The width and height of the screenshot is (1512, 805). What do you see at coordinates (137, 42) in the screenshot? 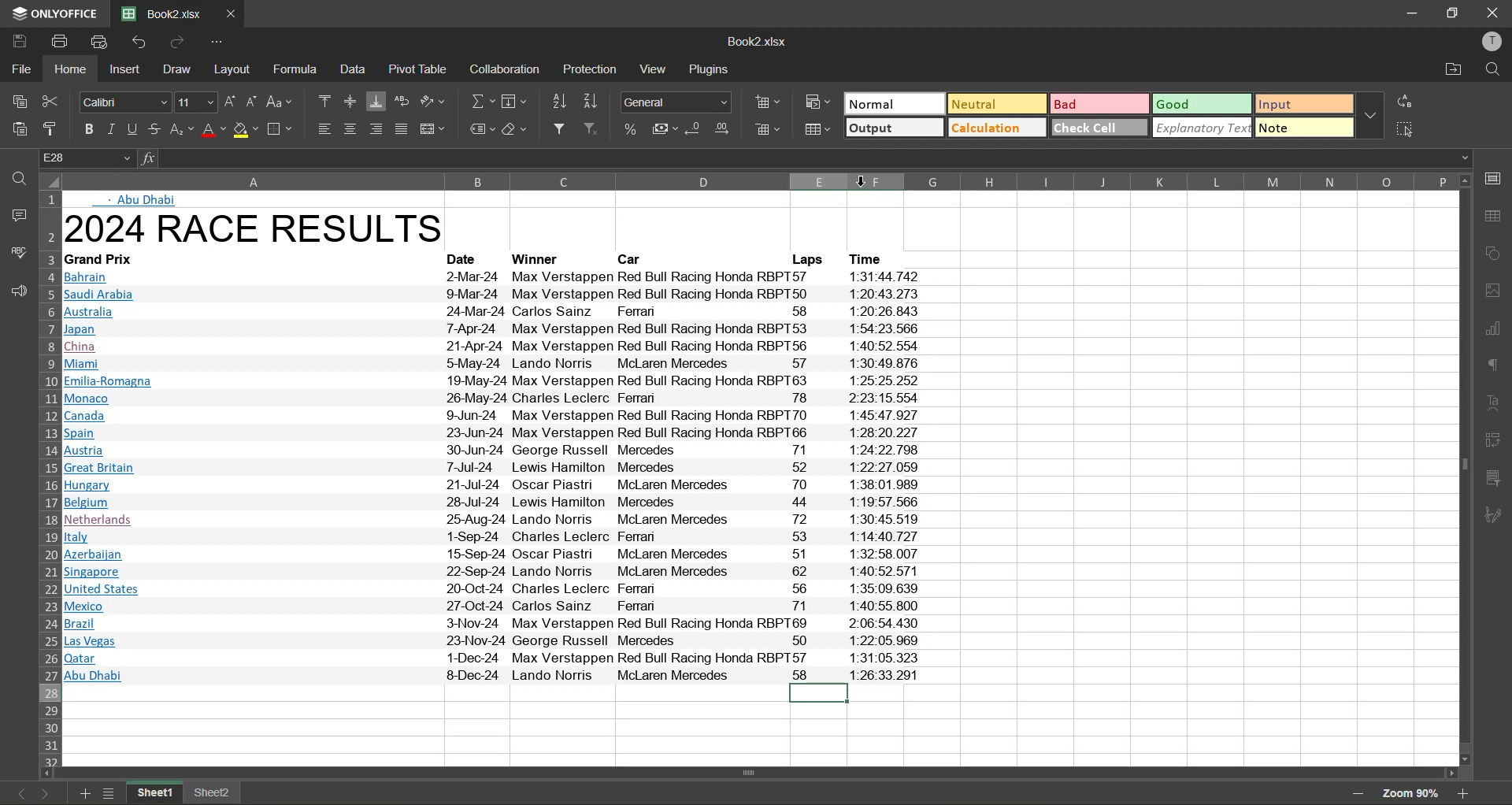
I see `undo` at bounding box center [137, 42].